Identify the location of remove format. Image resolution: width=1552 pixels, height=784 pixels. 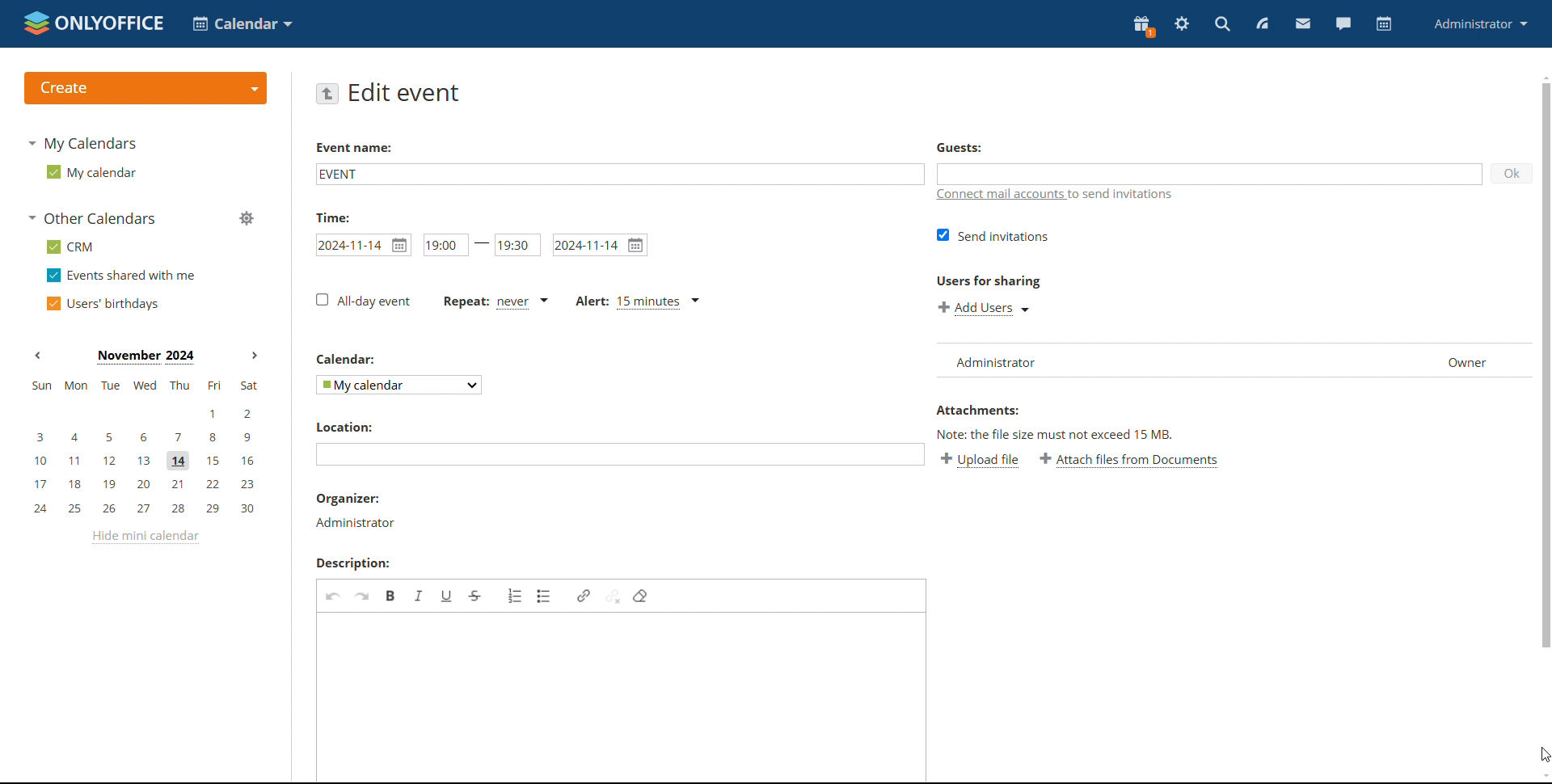
(641, 596).